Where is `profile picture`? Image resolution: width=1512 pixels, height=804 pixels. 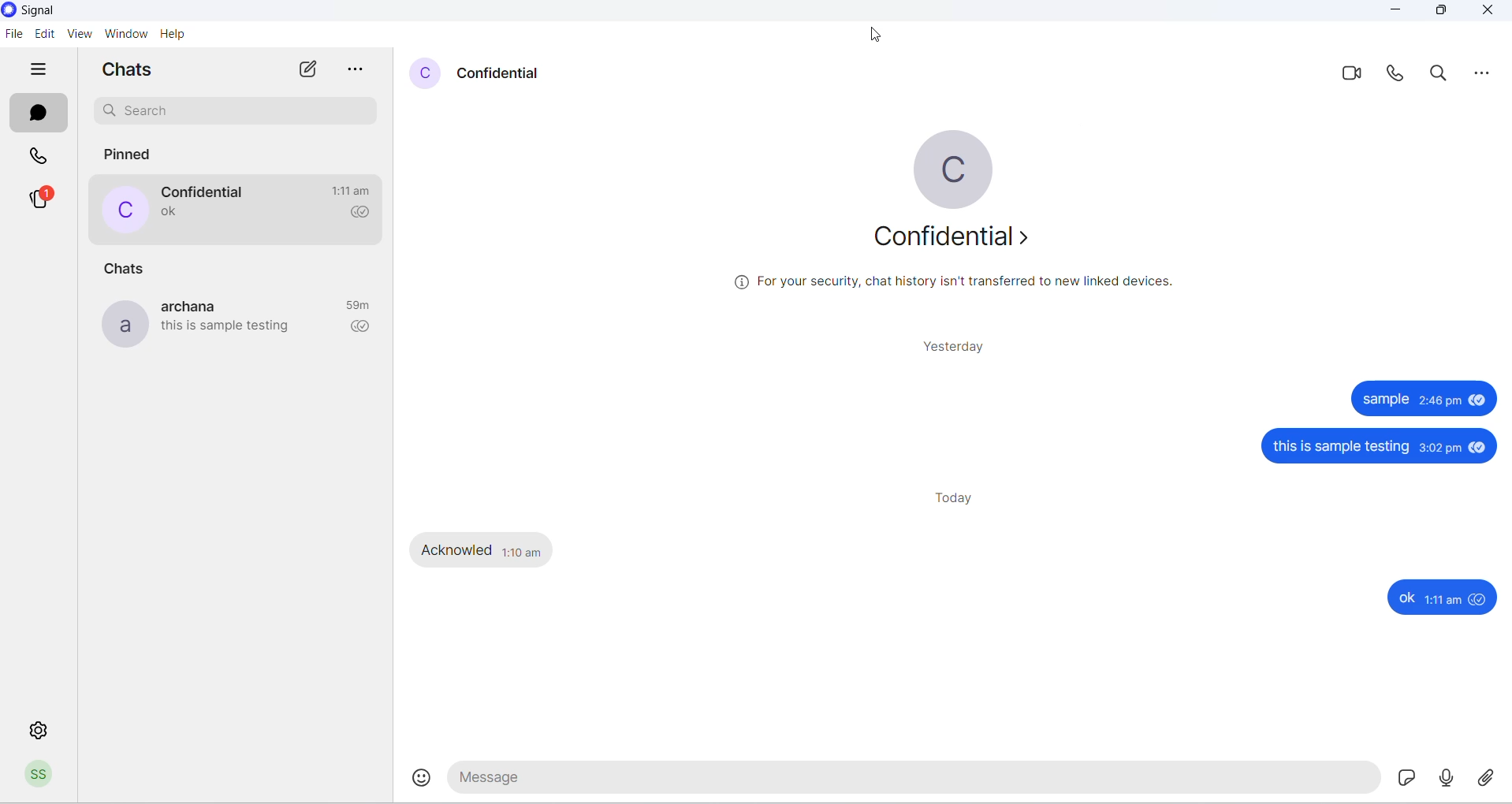
profile picture is located at coordinates (125, 326).